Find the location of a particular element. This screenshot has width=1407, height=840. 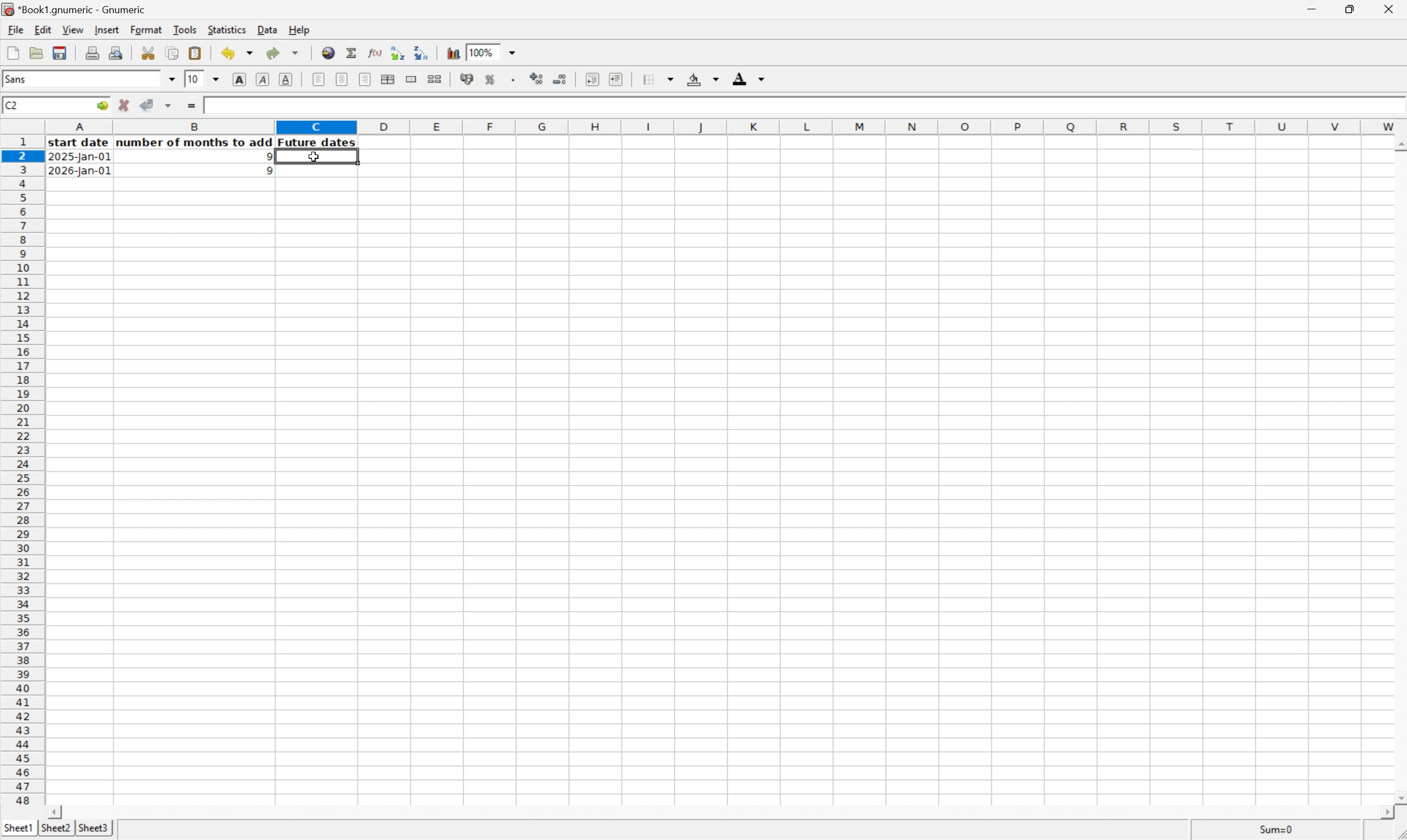

Tools is located at coordinates (186, 29).